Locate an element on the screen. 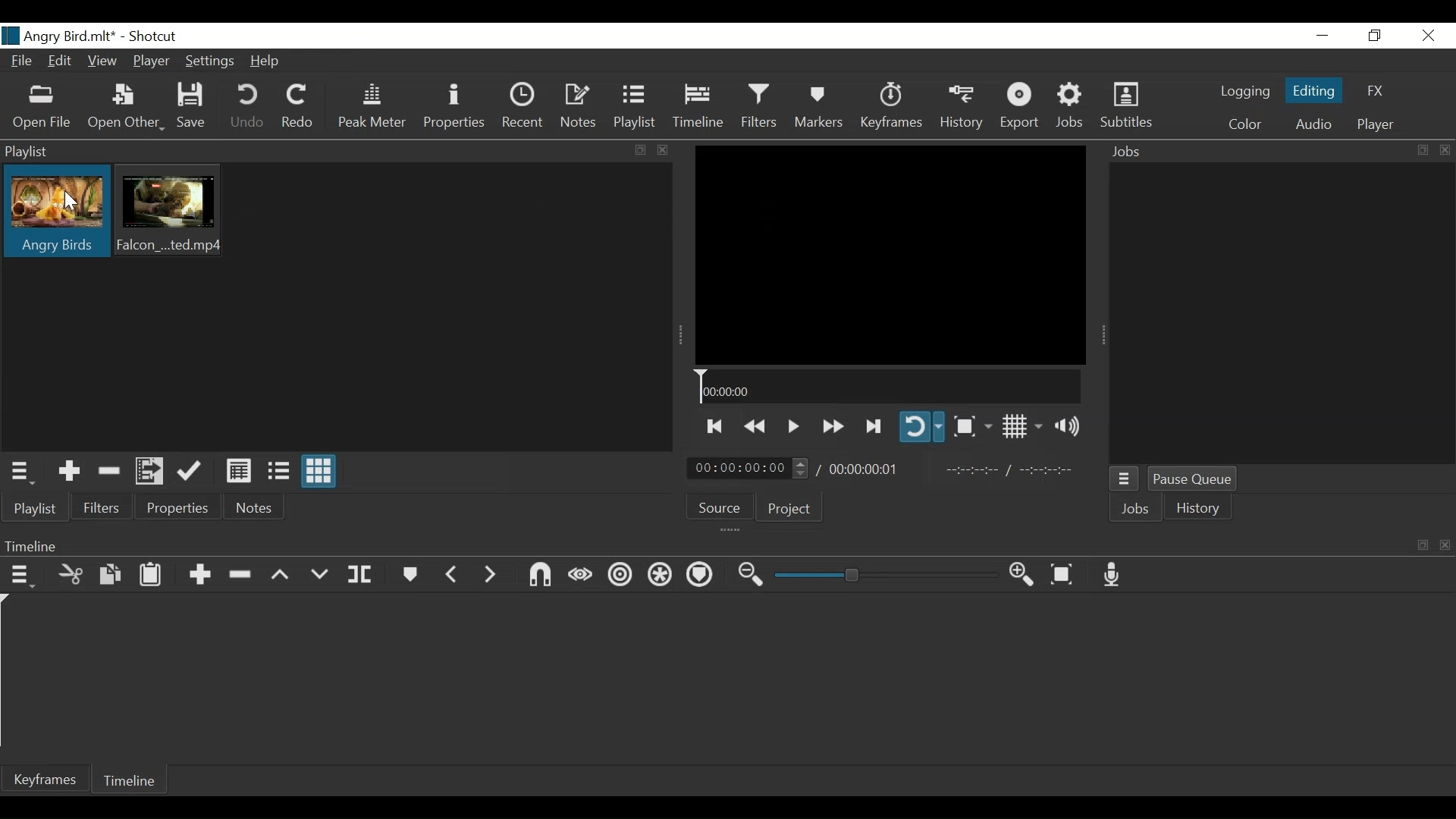  Playlist is located at coordinates (638, 108).